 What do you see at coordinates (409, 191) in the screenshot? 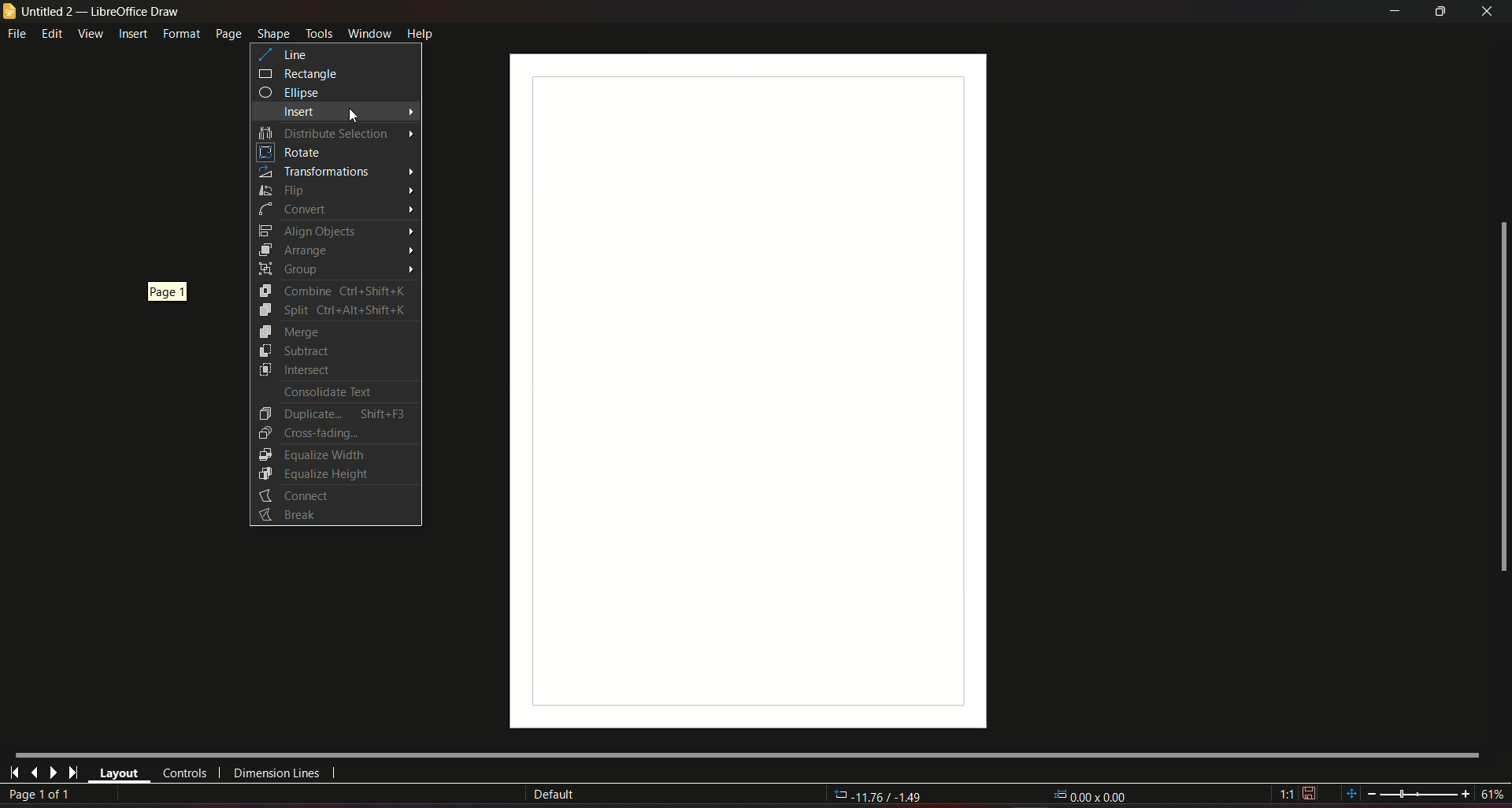
I see `Arrow` at bounding box center [409, 191].